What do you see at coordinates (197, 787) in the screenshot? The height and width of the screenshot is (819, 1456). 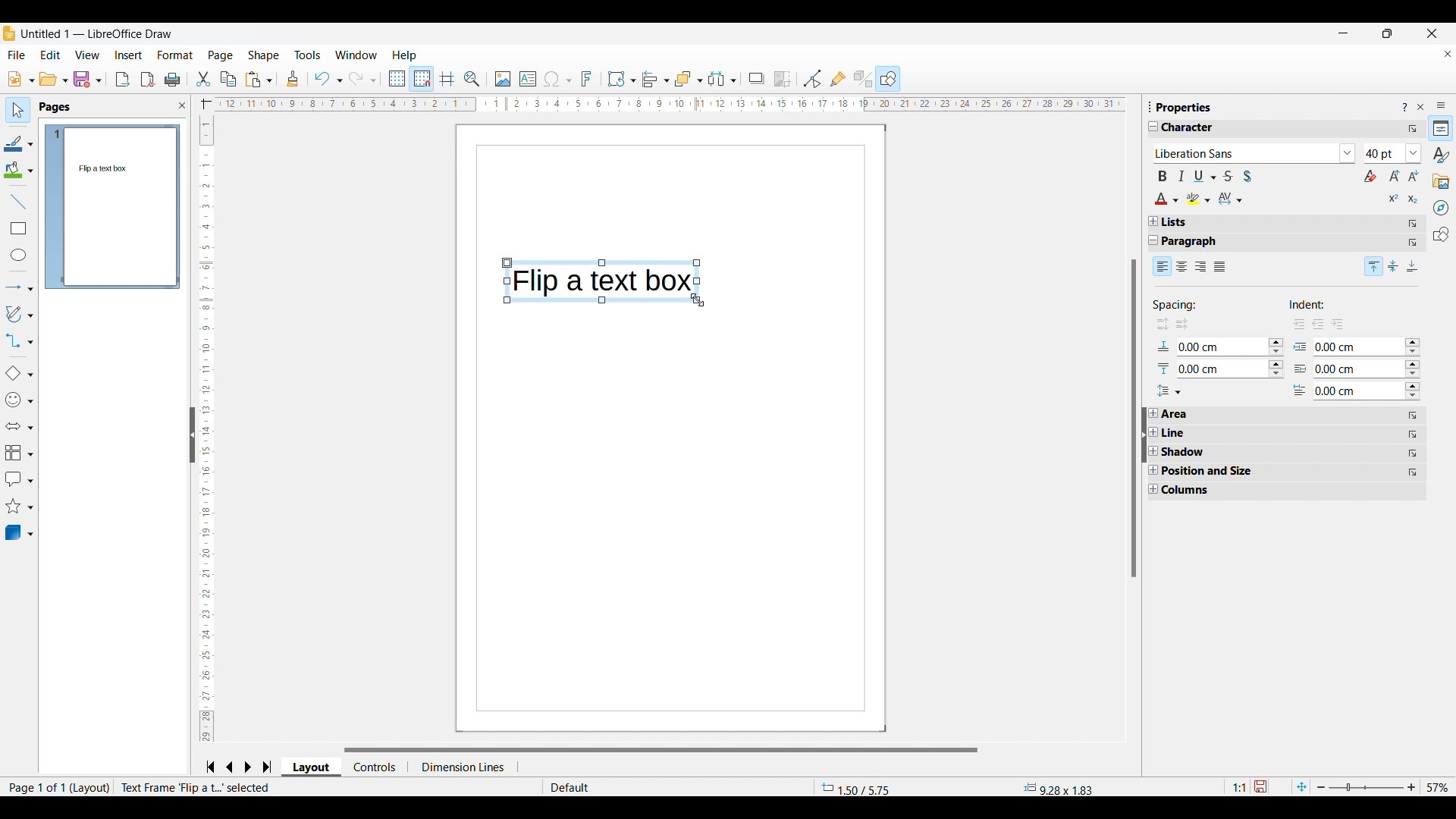 I see `Test frame flip a t. selected ` at bounding box center [197, 787].